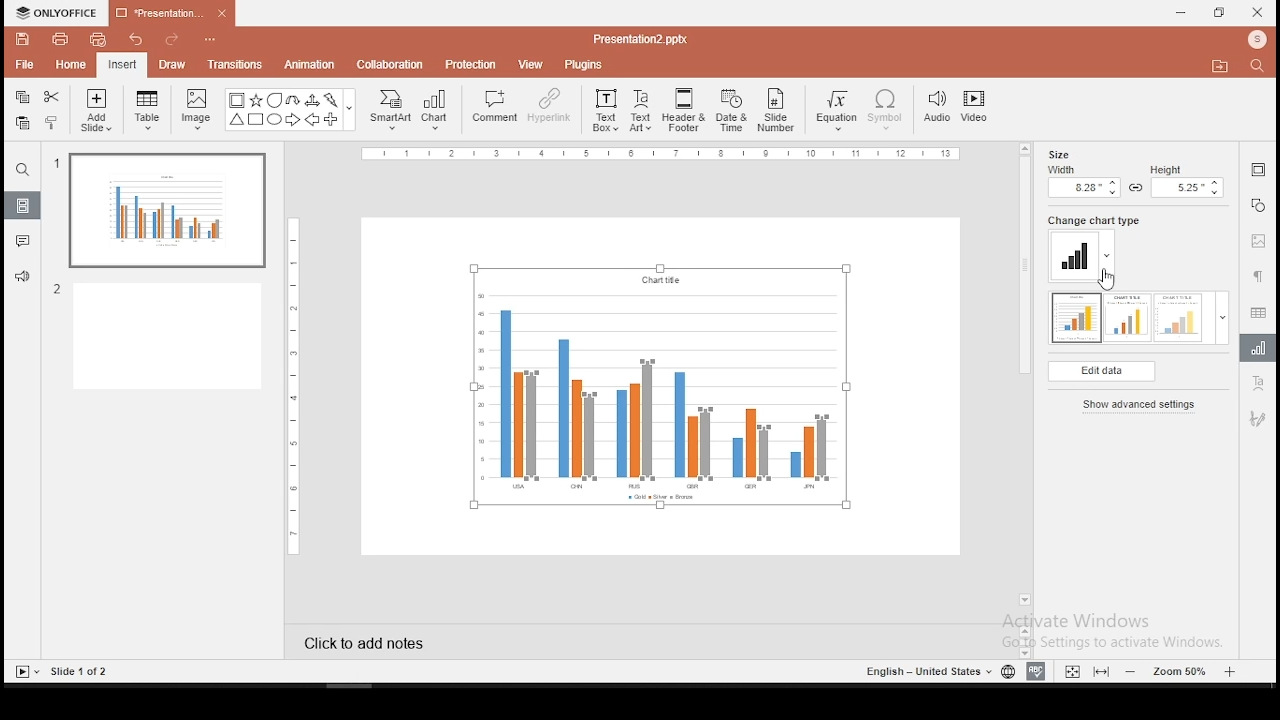 The width and height of the screenshot is (1280, 720). I want to click on minimize, so click(1182, 12).